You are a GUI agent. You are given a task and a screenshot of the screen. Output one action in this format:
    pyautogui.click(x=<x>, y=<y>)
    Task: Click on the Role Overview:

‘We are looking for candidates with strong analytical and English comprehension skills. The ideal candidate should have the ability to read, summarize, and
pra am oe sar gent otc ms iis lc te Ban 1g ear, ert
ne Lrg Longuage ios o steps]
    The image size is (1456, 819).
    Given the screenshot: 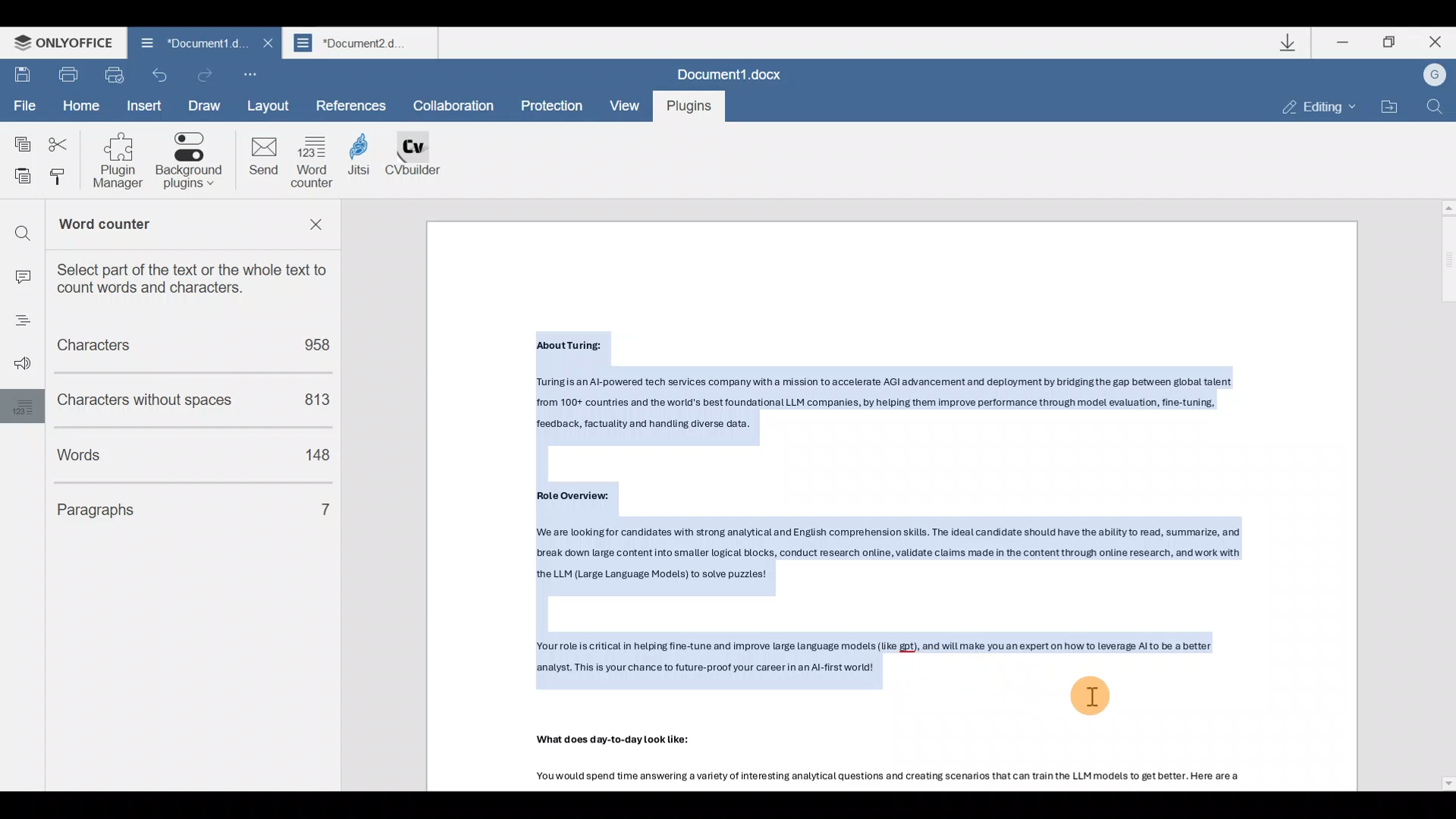 What is the action you would take?
    pyautogui.click(x=905, y=541)
    